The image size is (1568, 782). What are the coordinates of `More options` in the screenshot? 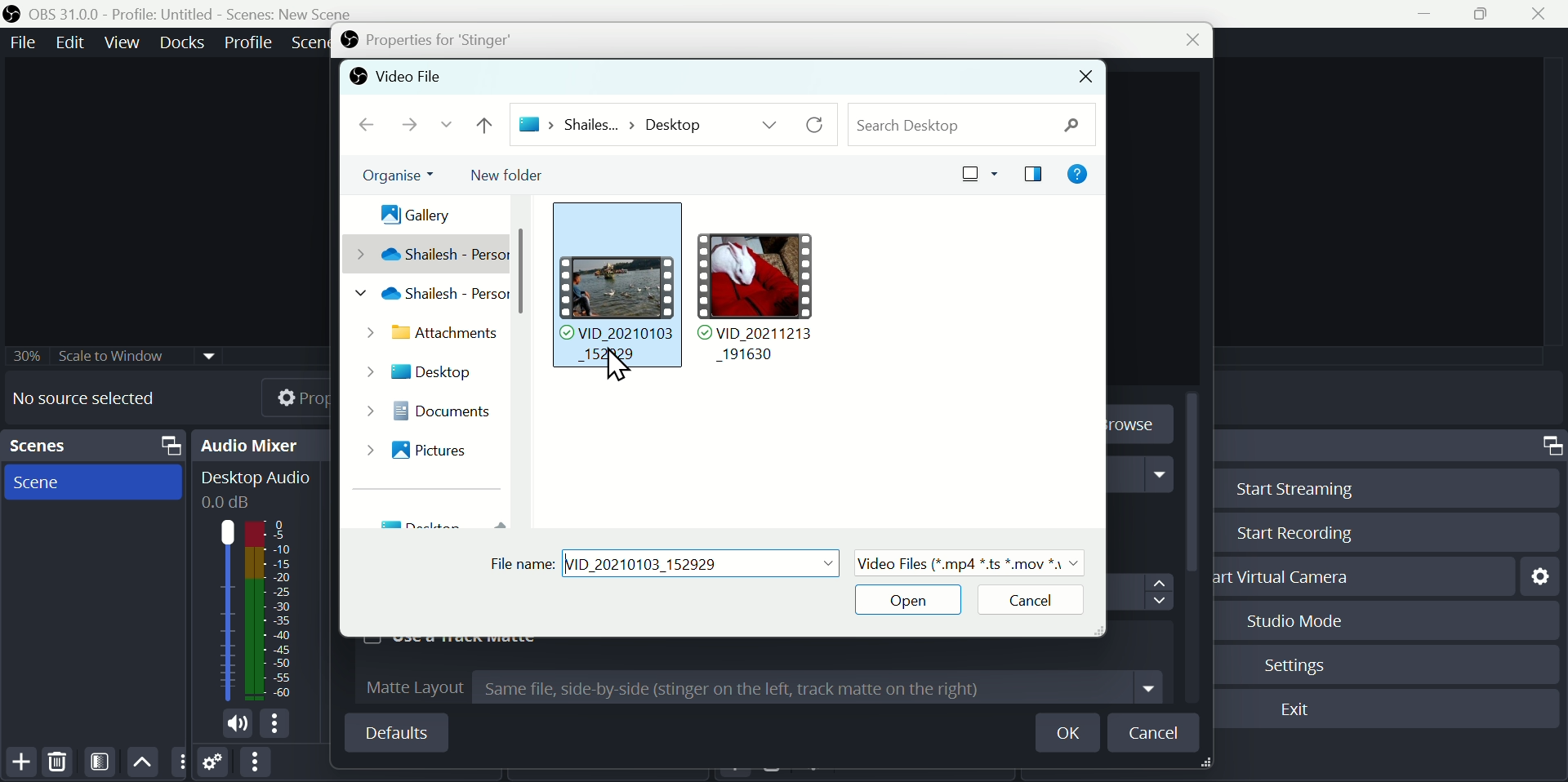 It's located at (254, 763).